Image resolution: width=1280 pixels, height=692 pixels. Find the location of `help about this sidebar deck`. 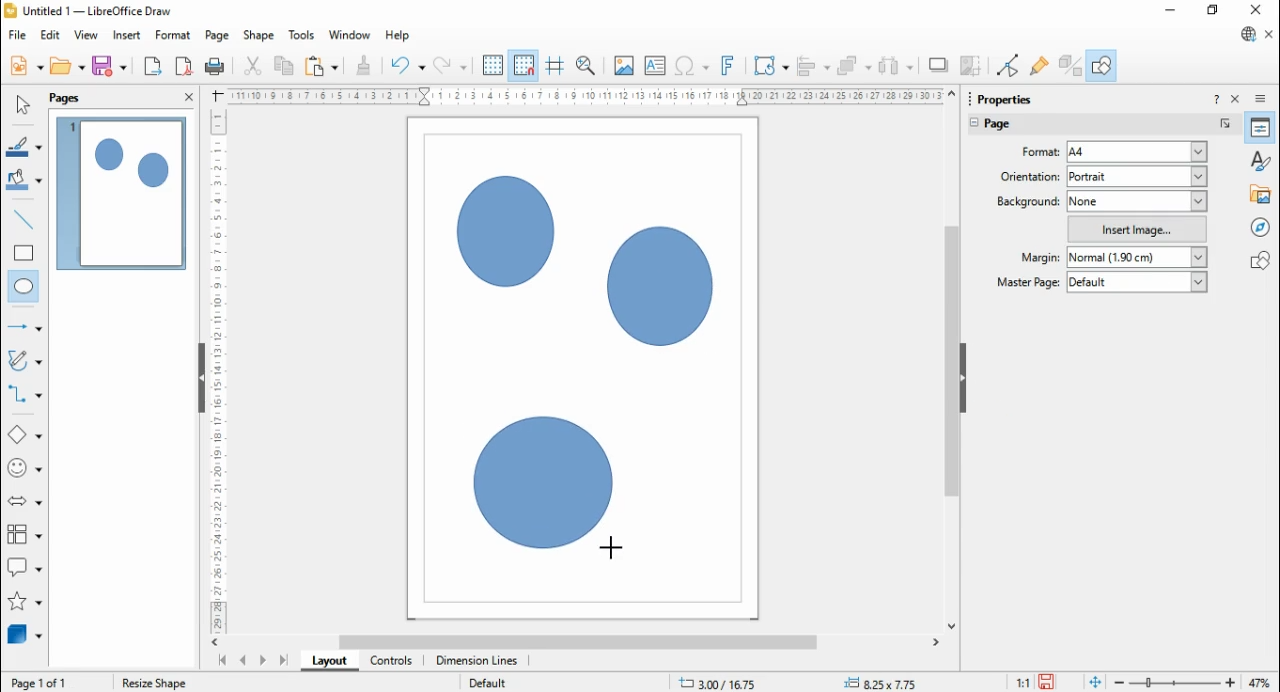

help about this sidebar deck is located at coordinates (1216, 98).